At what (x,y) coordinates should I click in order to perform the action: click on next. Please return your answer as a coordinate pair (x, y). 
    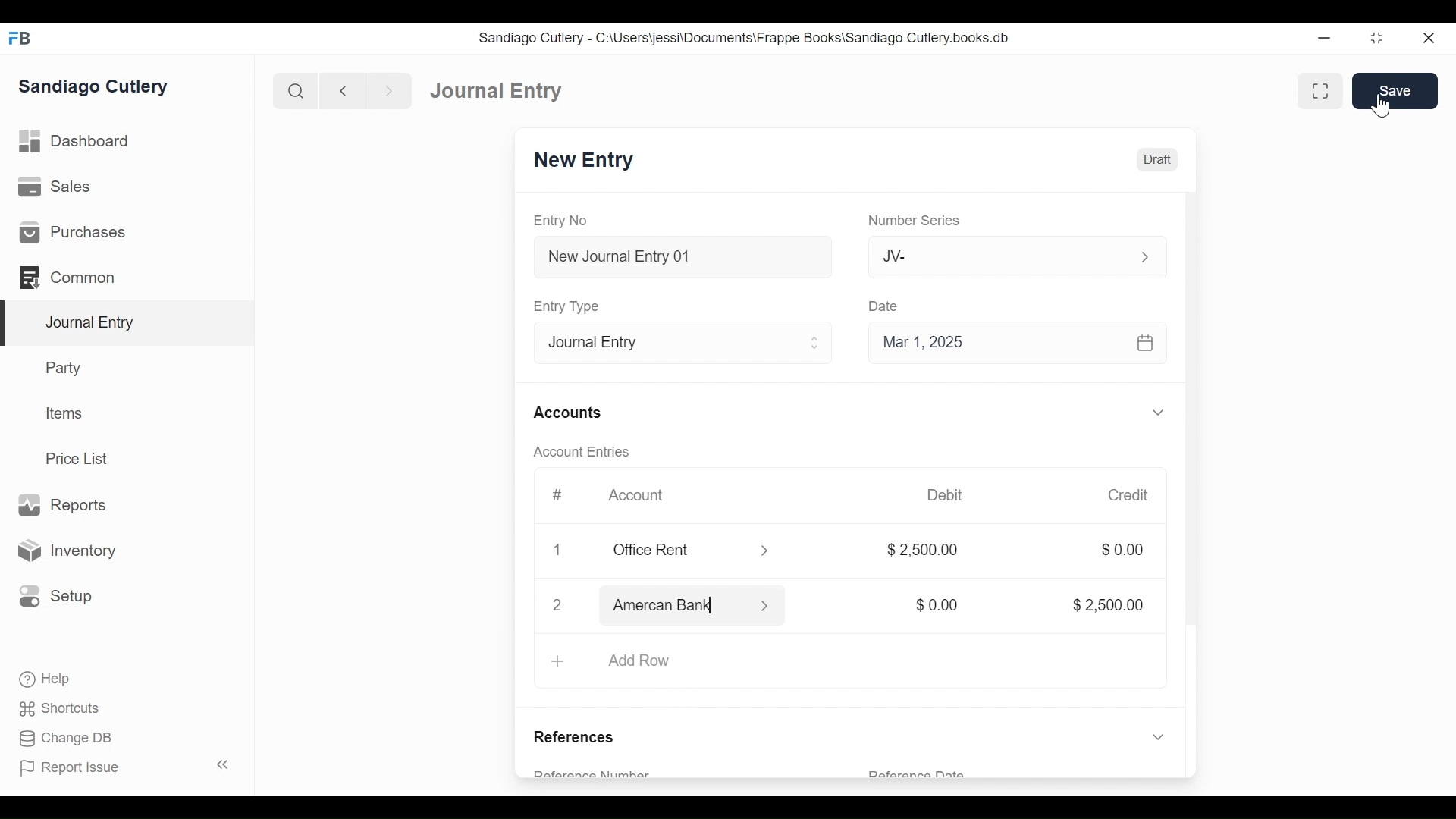
    Looking at the image, I should click on (384, 89).